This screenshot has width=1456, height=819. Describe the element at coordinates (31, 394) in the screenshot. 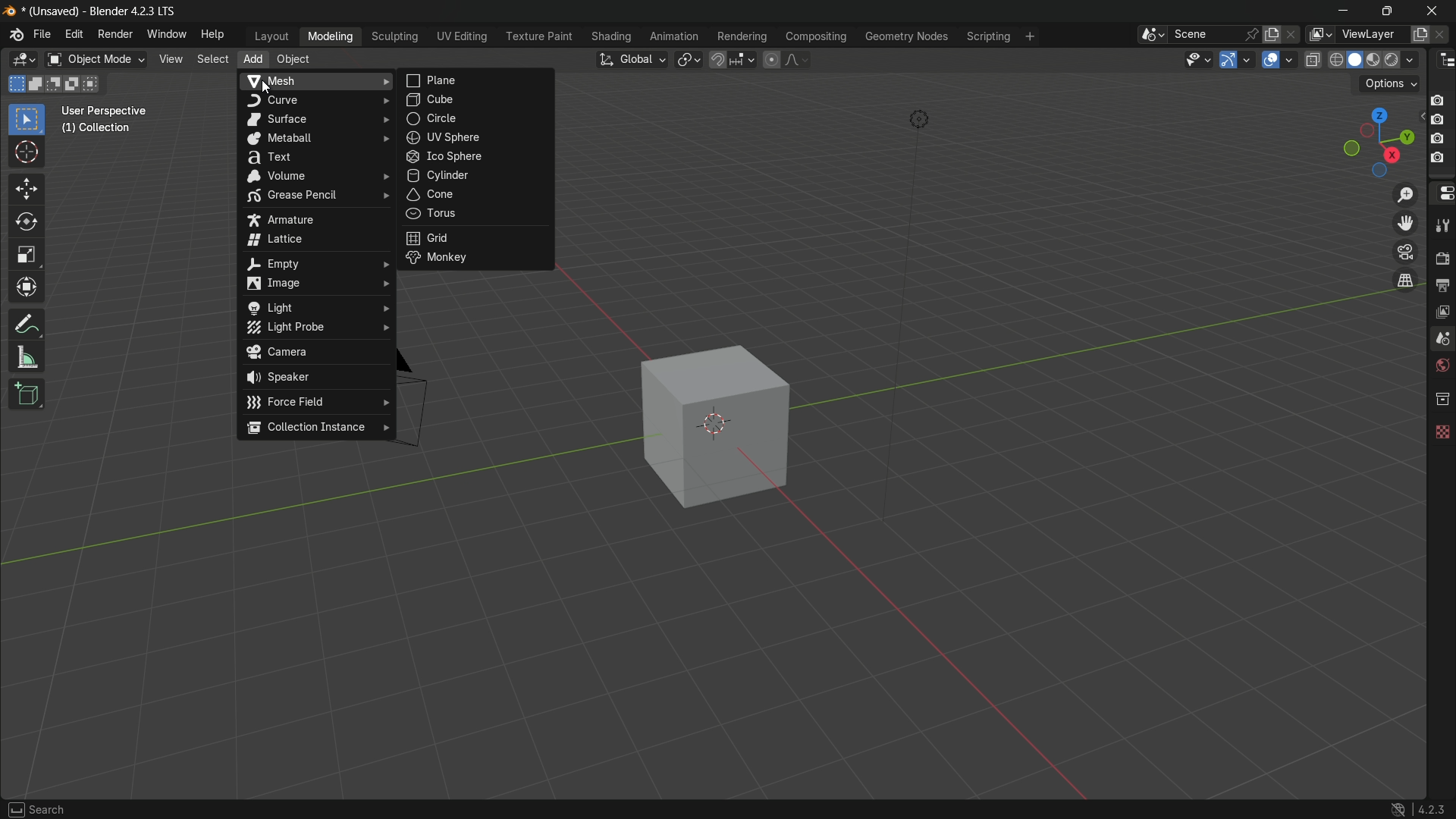

I see `add cube` at that location.